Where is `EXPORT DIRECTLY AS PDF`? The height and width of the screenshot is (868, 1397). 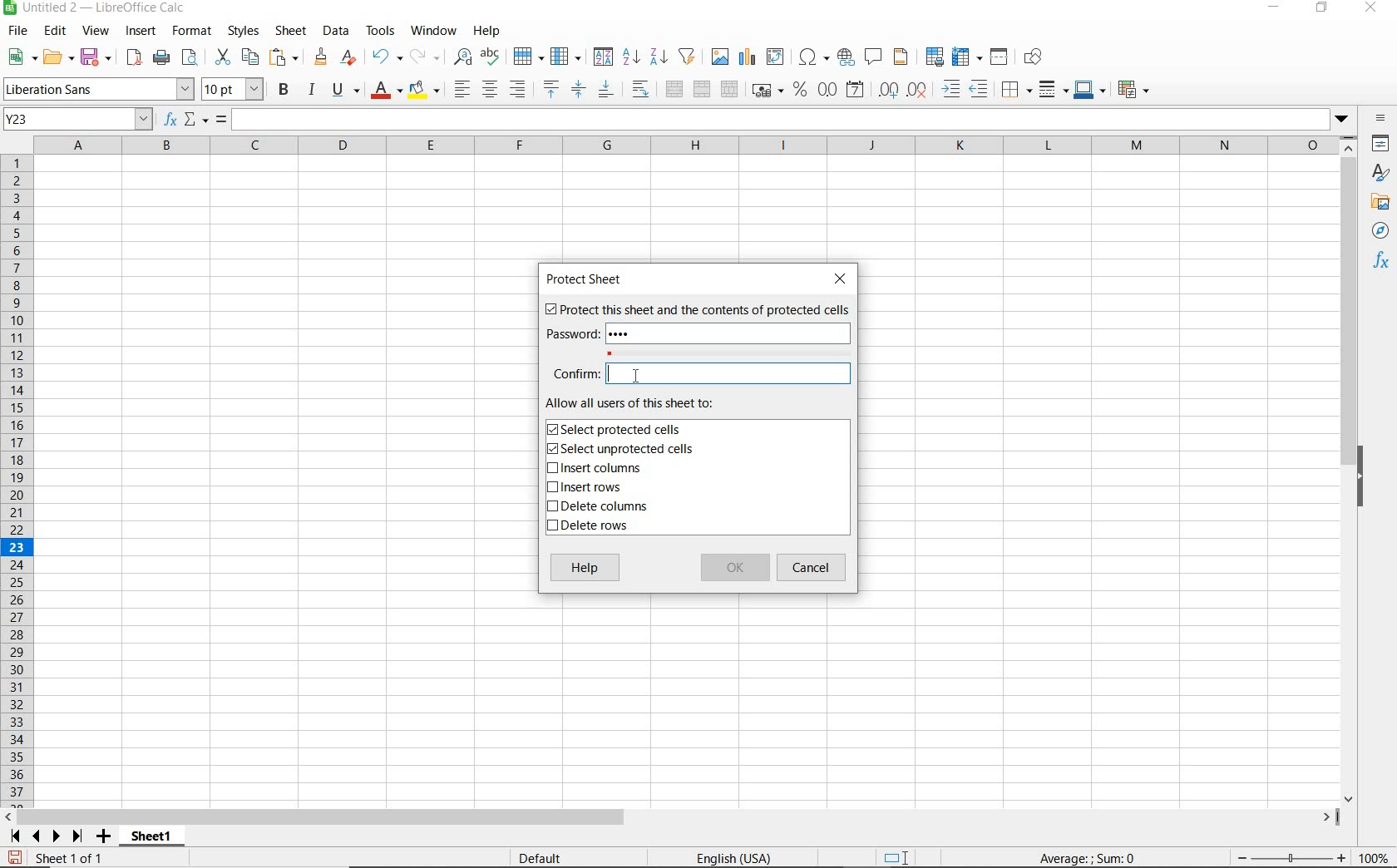 EXPORT DIRECTLY AS PDF is located at coordinates (133, 59).